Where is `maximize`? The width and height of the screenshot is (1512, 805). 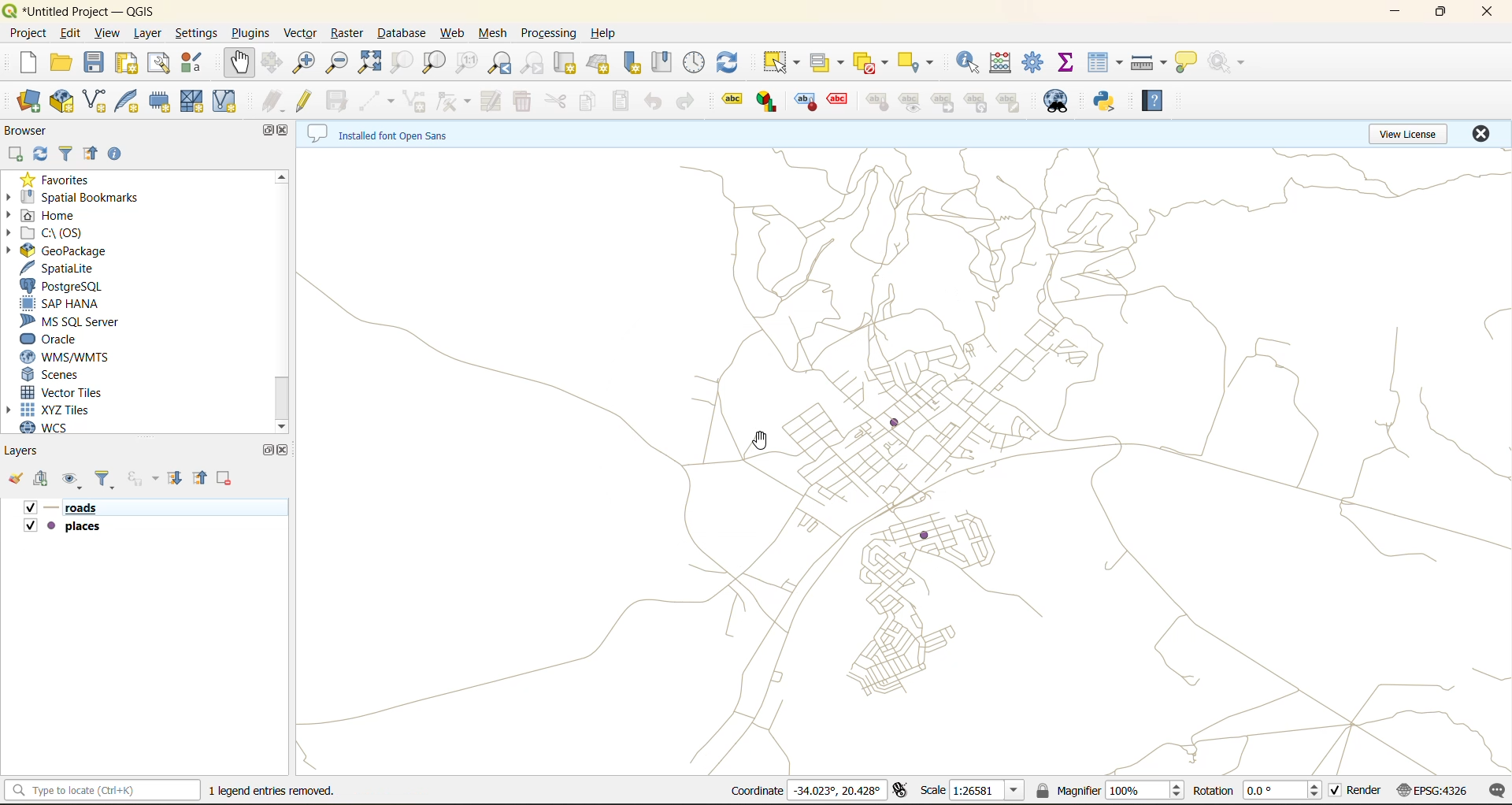
maximize is located at coordinates (261, 132).